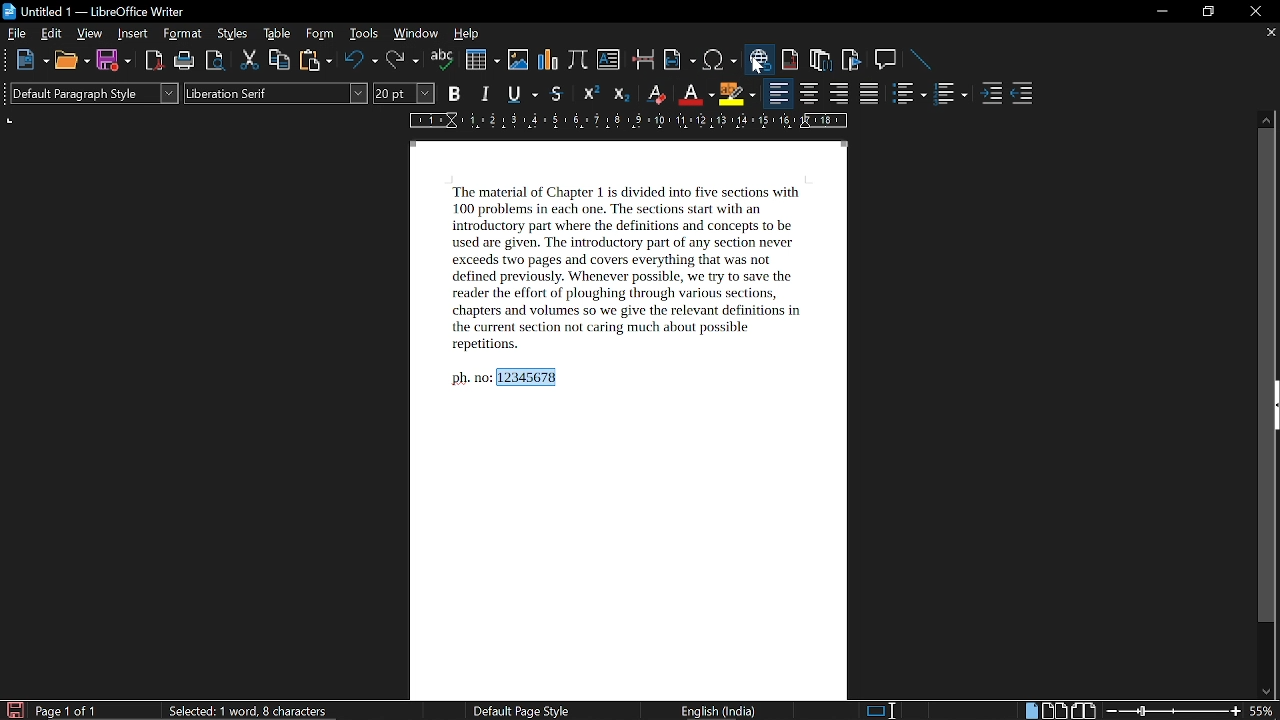 The image size is (1280, 720). Describe the element at coordinates (1264, 712) in the screenshot. I see `current zoom` at that location.